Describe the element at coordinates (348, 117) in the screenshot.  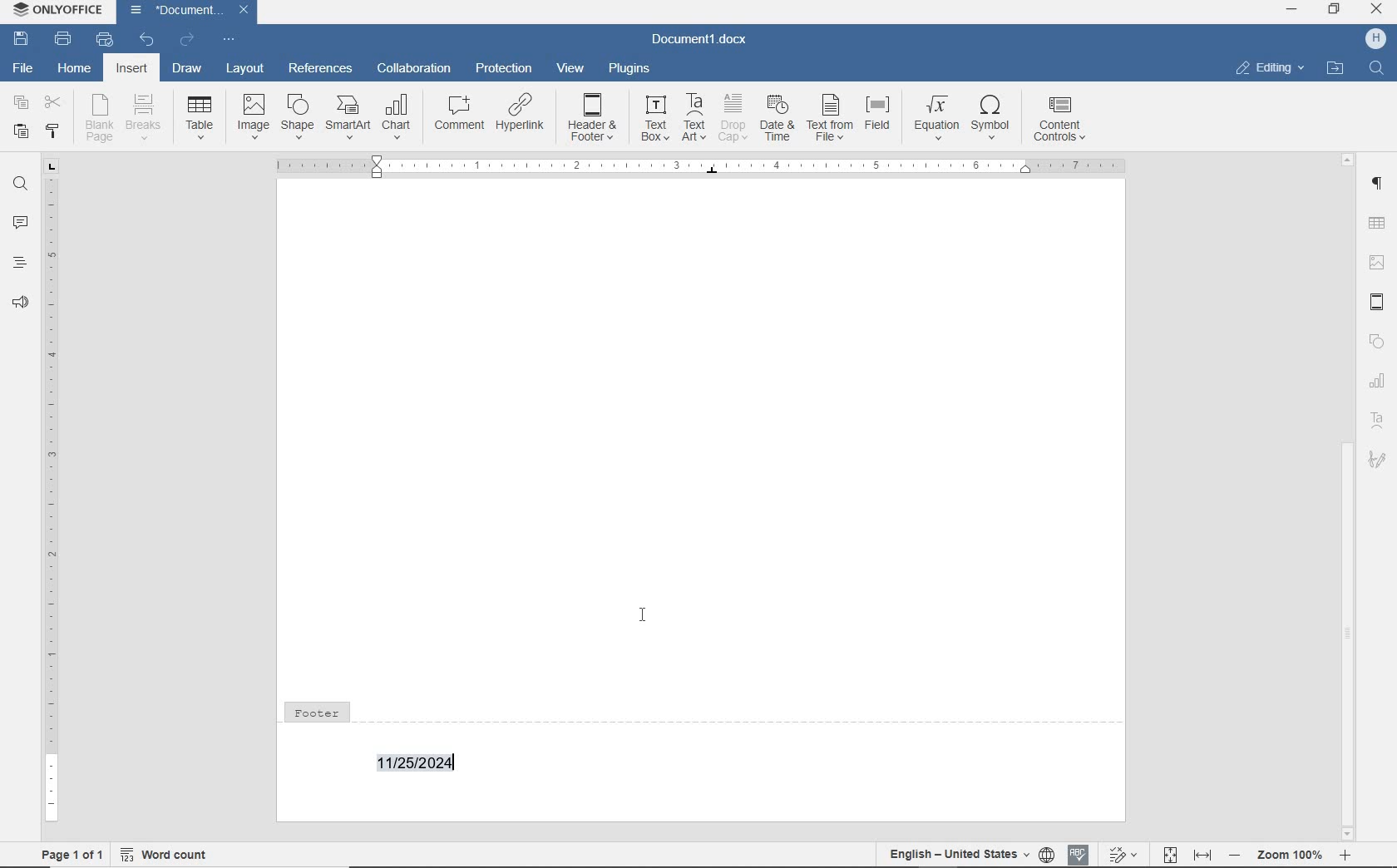
I see `SmartArt` at that location.